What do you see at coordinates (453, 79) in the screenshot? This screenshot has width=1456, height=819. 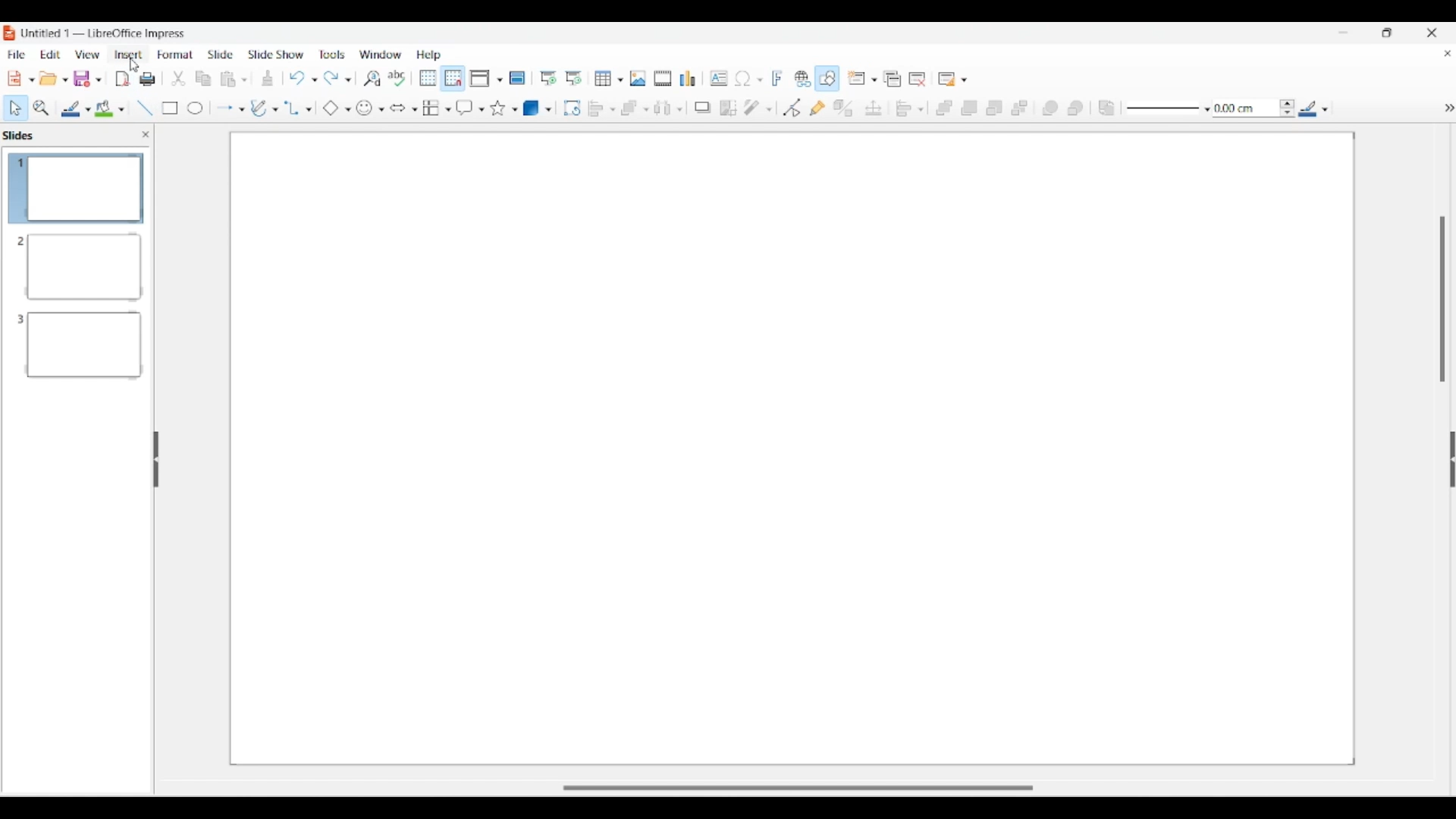 I see `Snap to grid highlighted` at bounding box center [453, 79].